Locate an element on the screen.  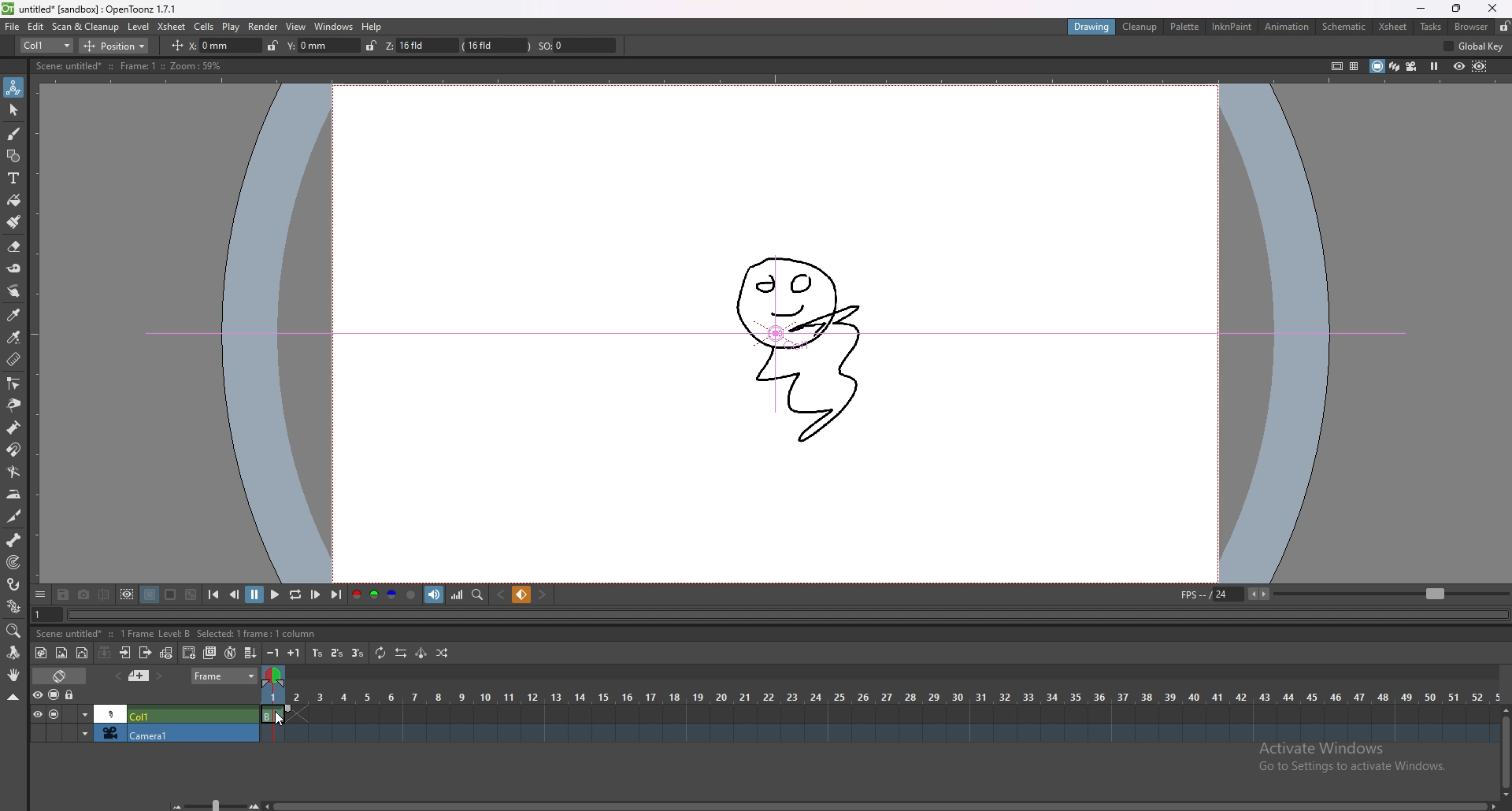
preview is located at coordinates (1459, 65).